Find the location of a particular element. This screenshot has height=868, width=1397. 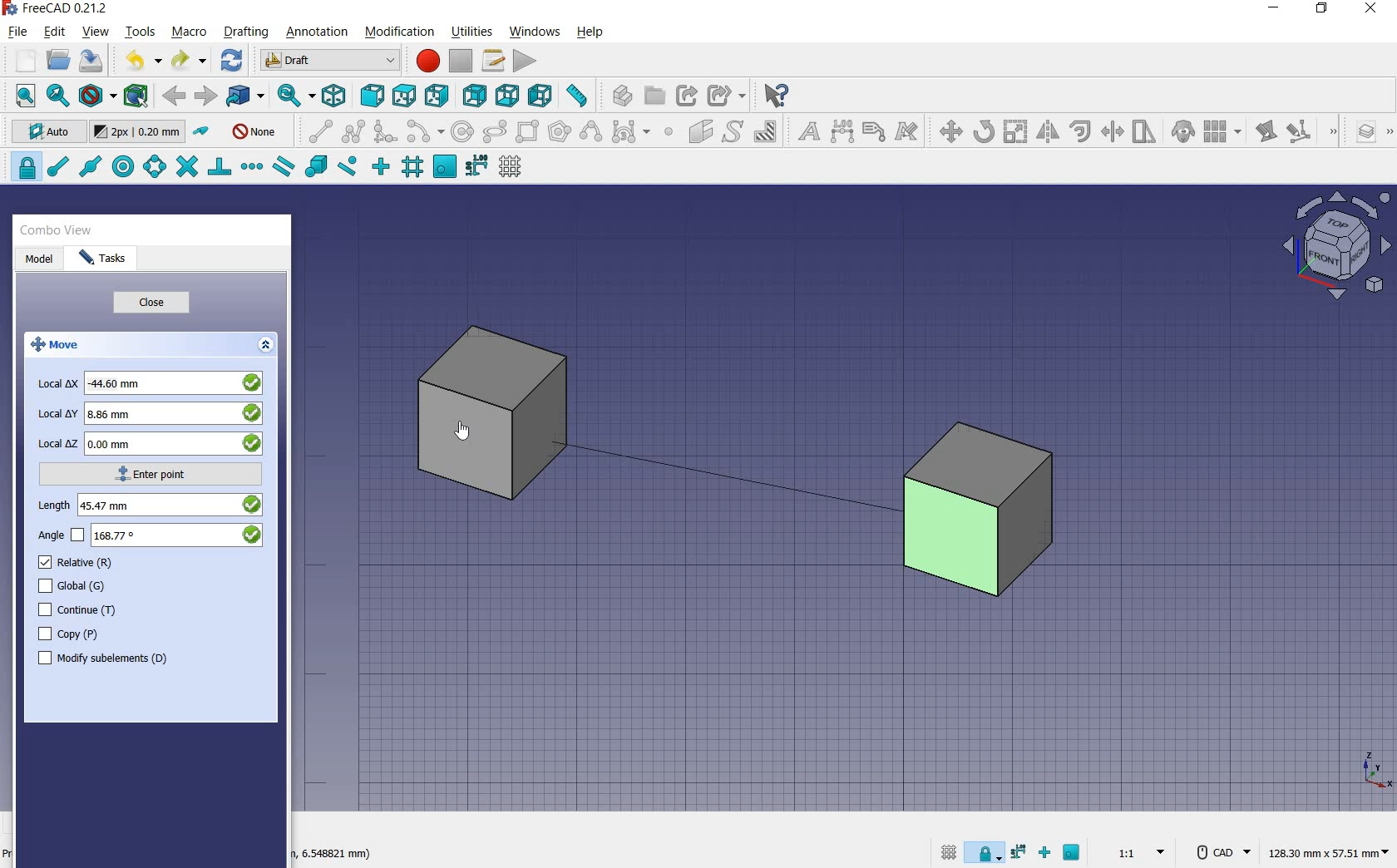

annotation is located at coordinates (319, 32).